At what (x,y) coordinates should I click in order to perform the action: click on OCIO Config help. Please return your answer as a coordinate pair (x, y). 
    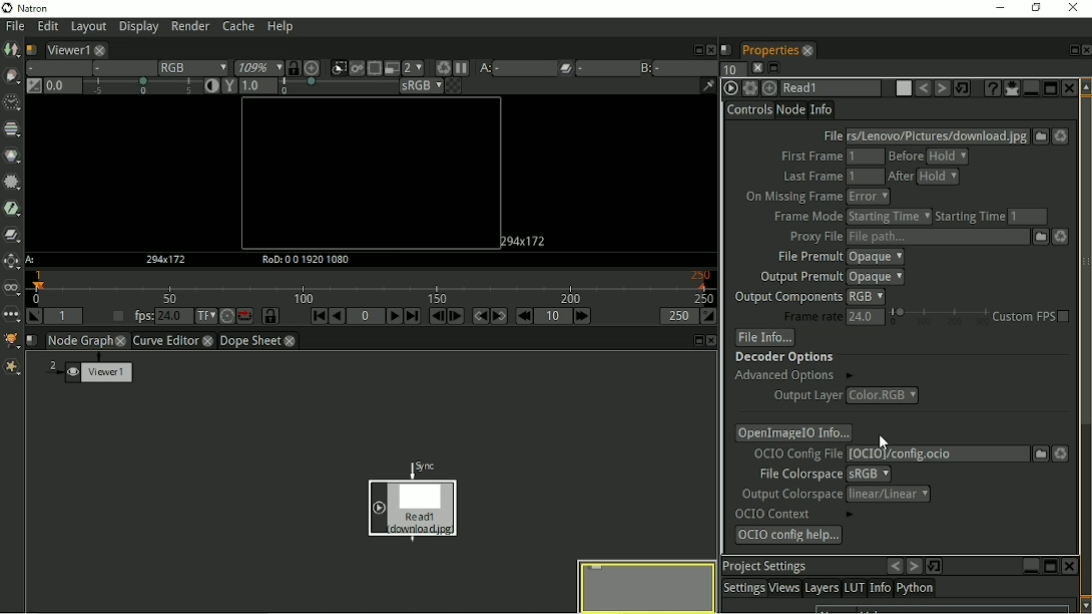
    Looking at the image, I should click on (786, 535).